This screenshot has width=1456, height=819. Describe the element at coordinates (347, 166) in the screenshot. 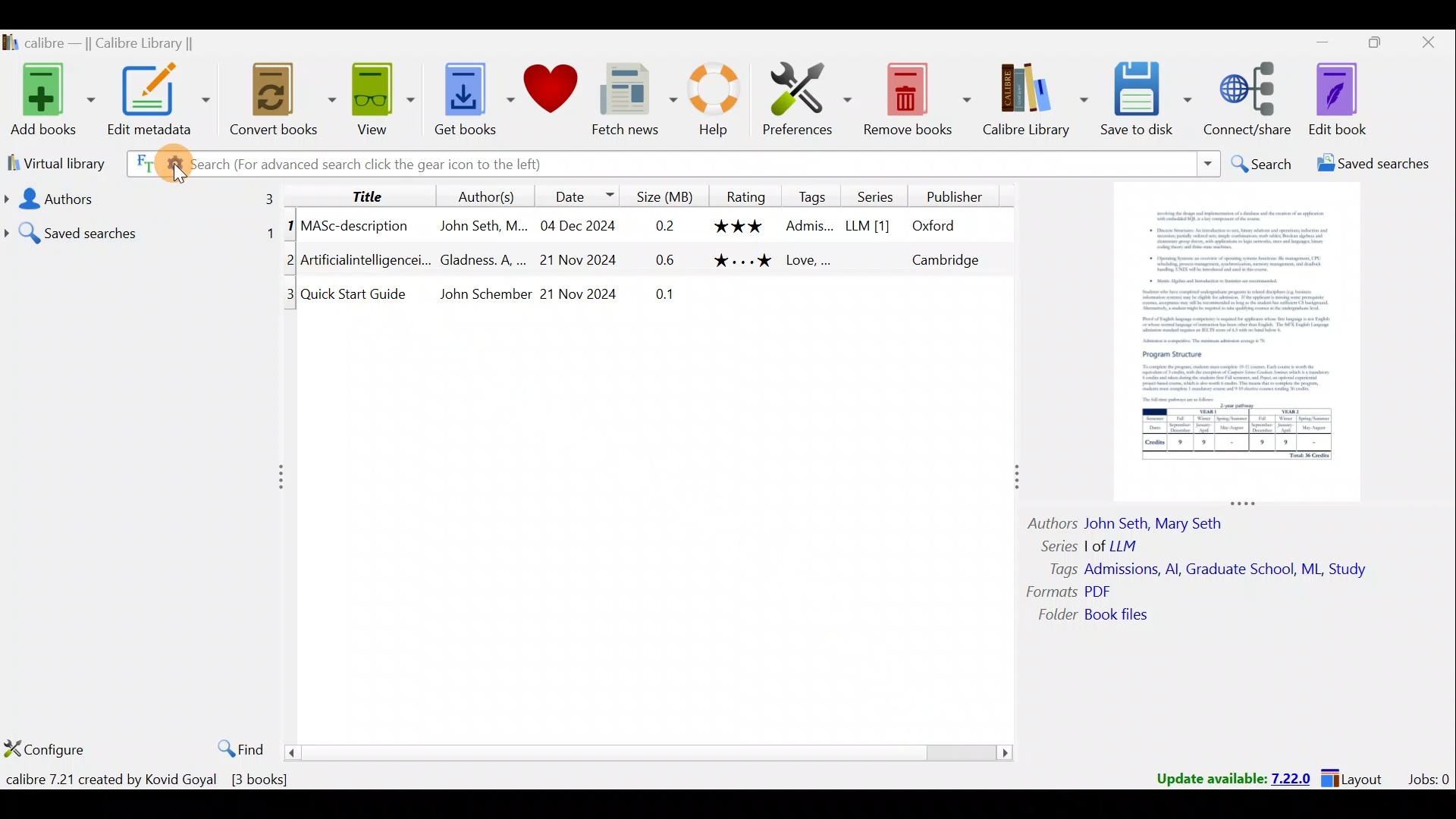

I see `Search (For advanced search click the gear icon to the left)` at that location.